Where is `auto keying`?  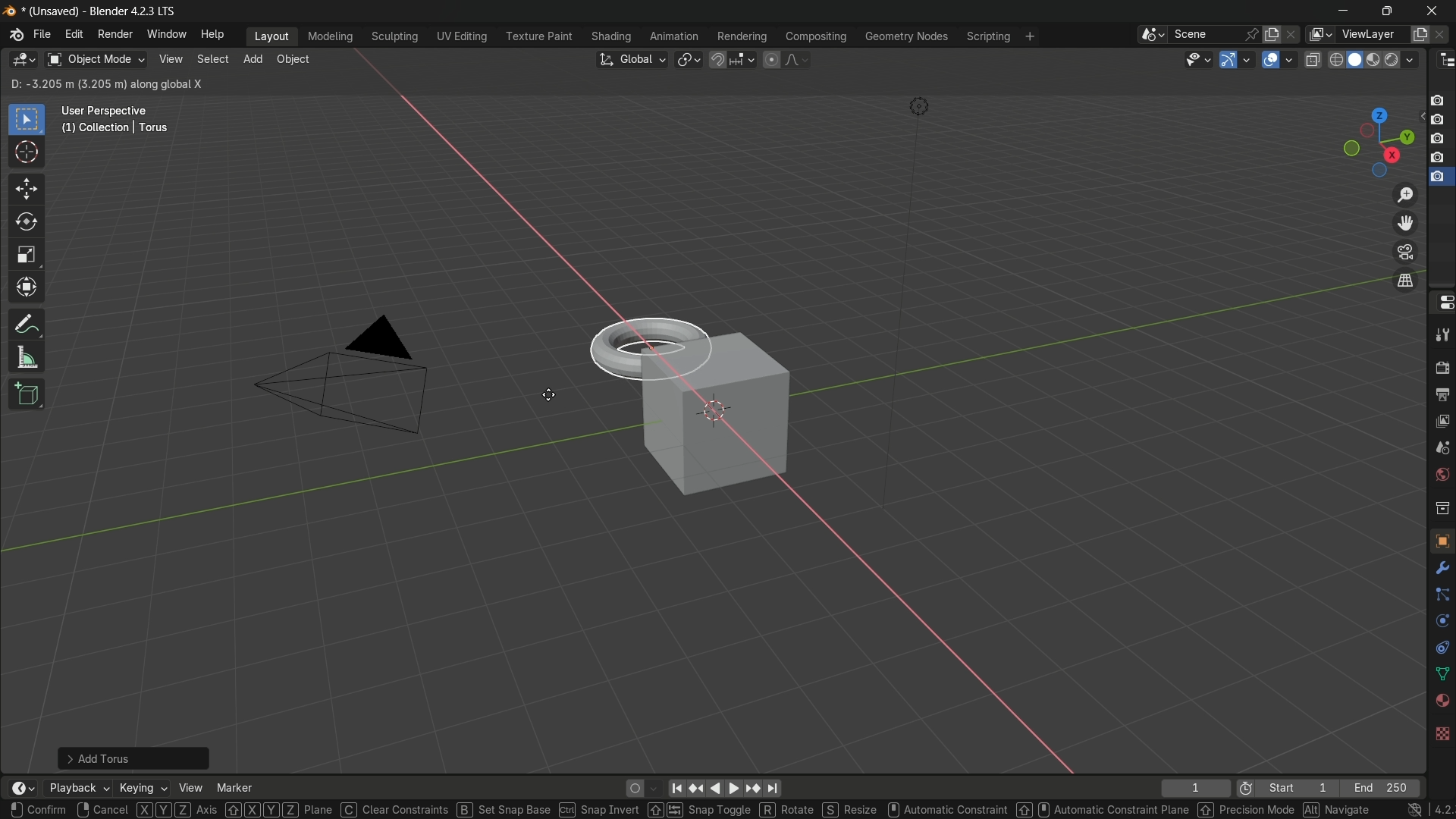
auto keying is located at coordinates (632, 789).